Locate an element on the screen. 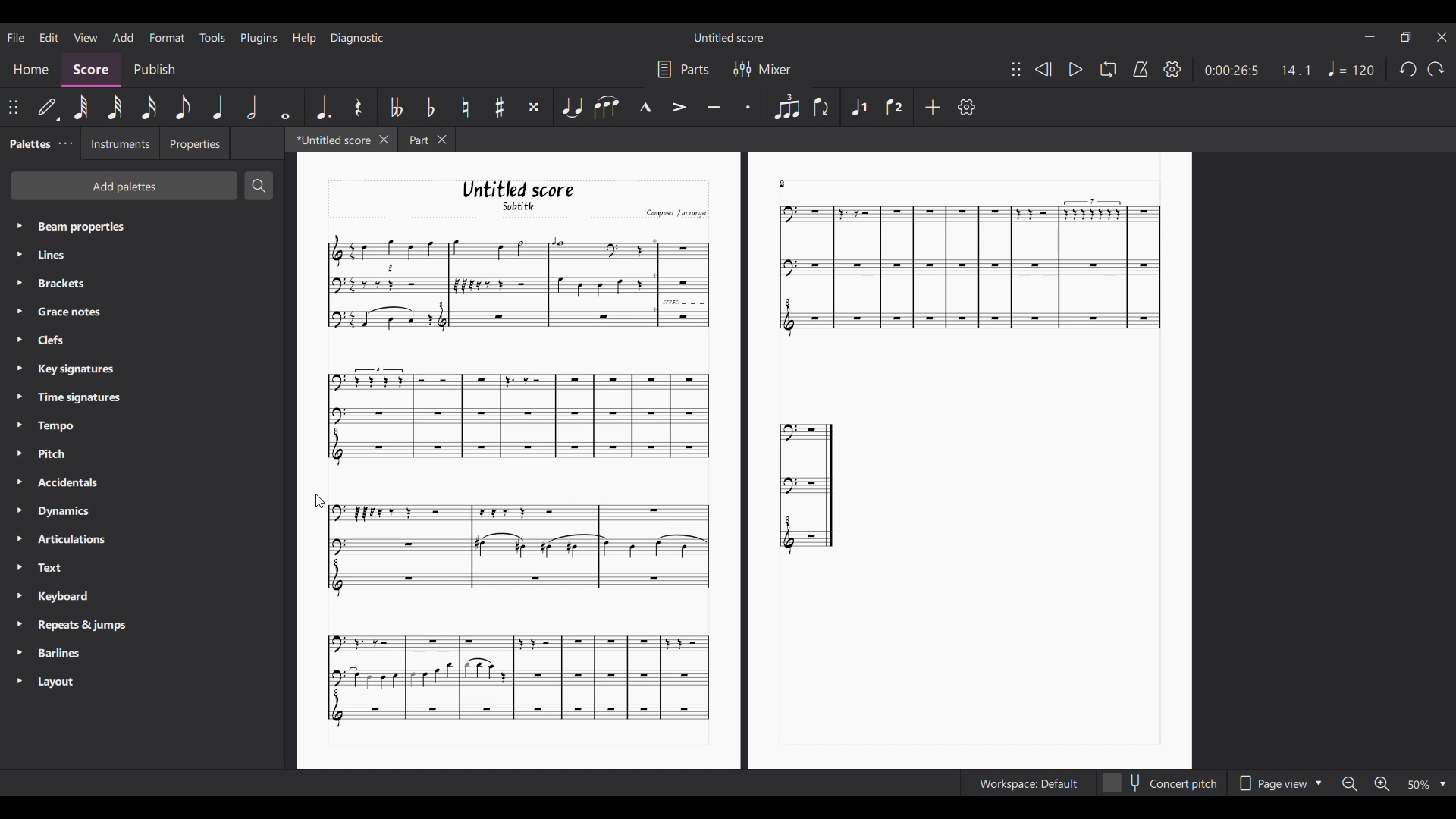 The width and height of the screenshot is (1456, 819). Graph is located at coordinates (808, 486).